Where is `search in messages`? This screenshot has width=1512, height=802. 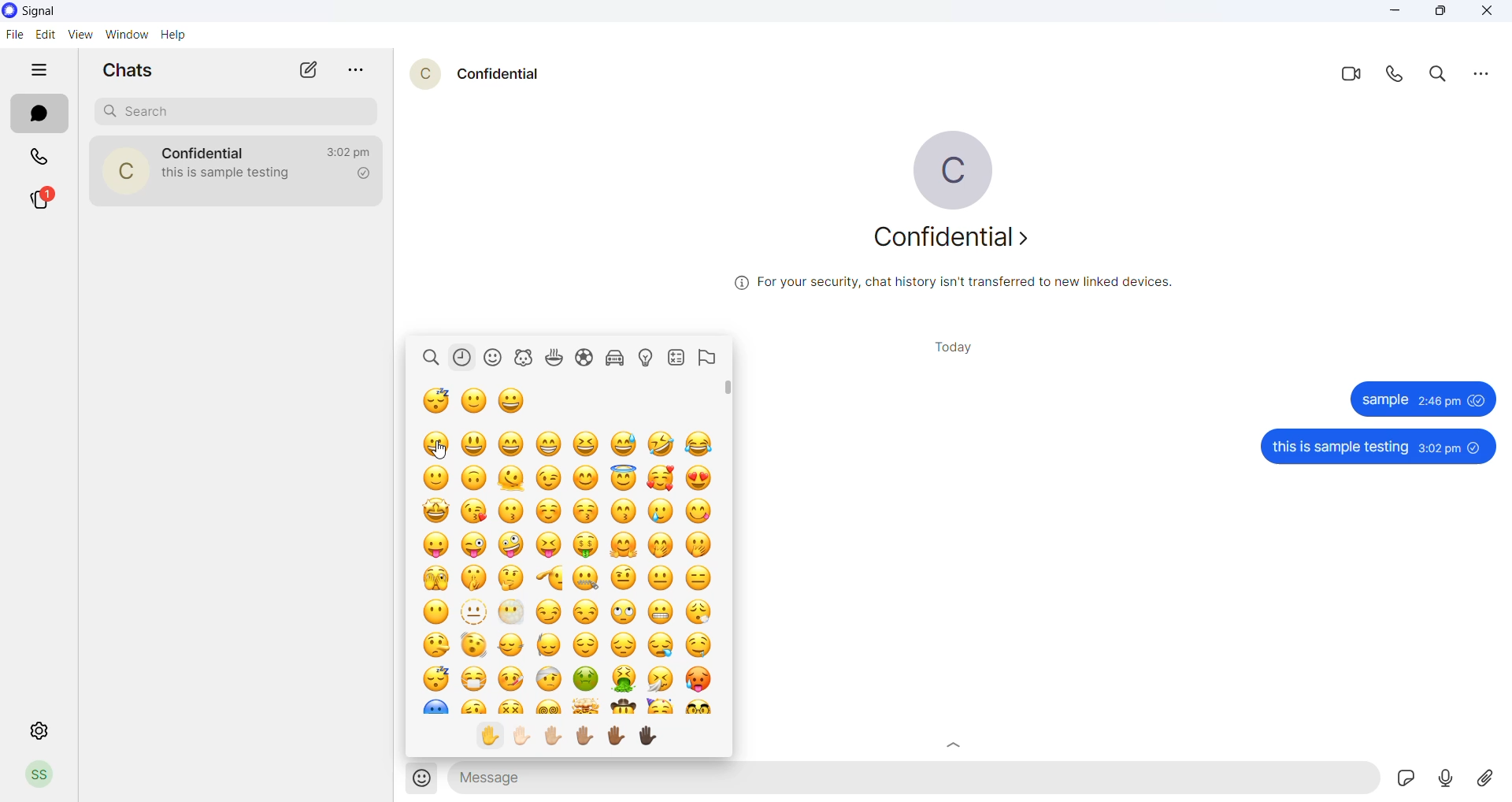
search in messages is located at coordinates (1436, 75).